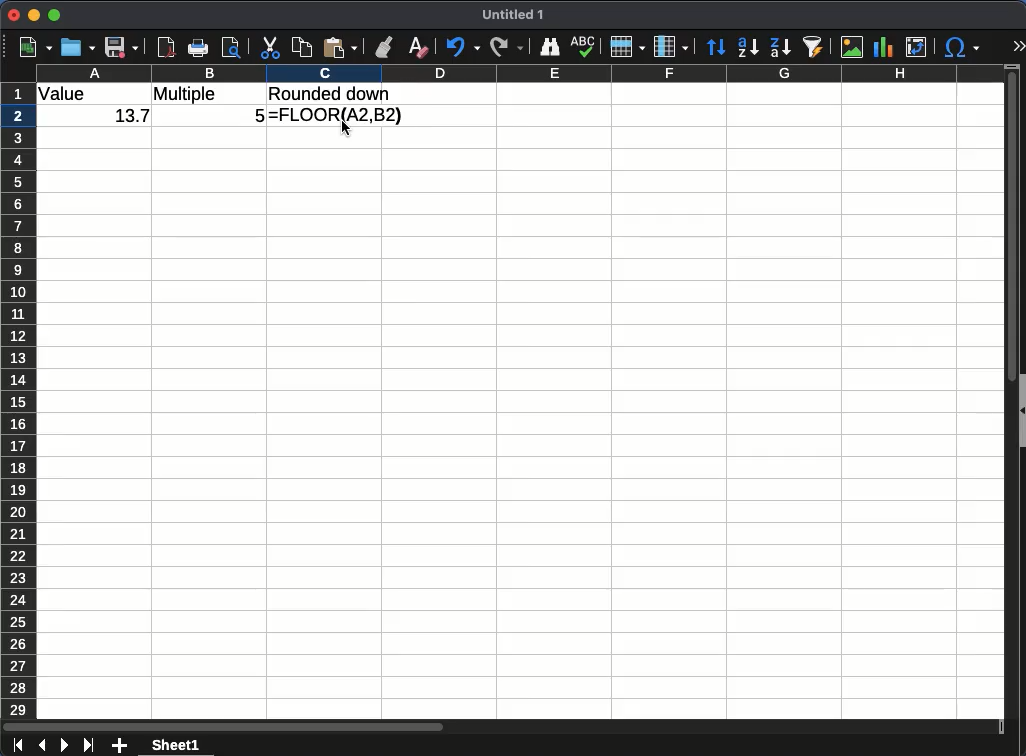  I want to click on 13.7, so click(128, 118).